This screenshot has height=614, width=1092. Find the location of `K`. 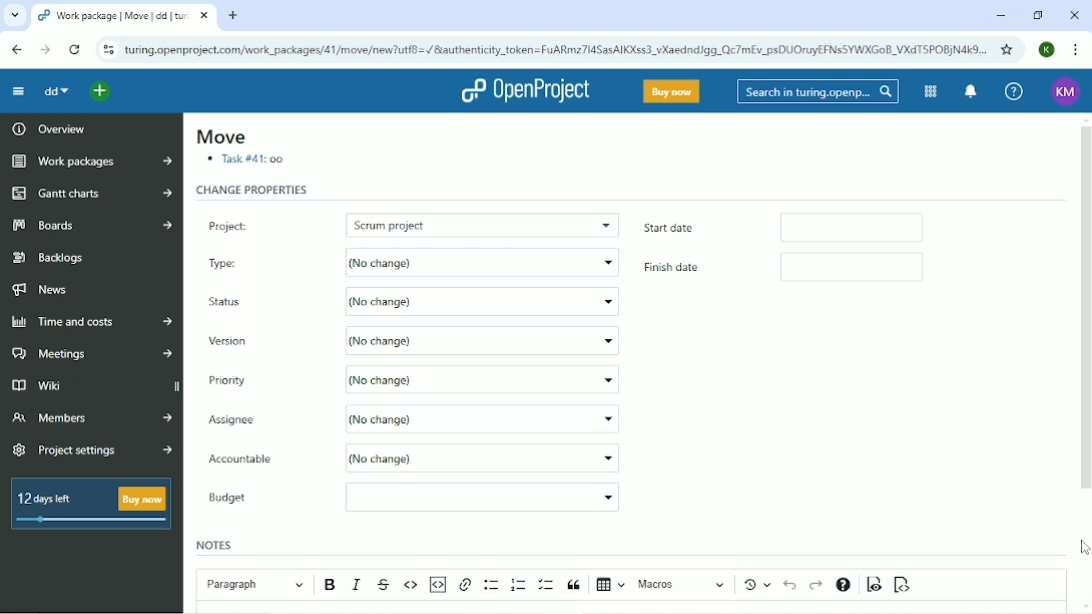

K is located at coordinates (1048, 49).